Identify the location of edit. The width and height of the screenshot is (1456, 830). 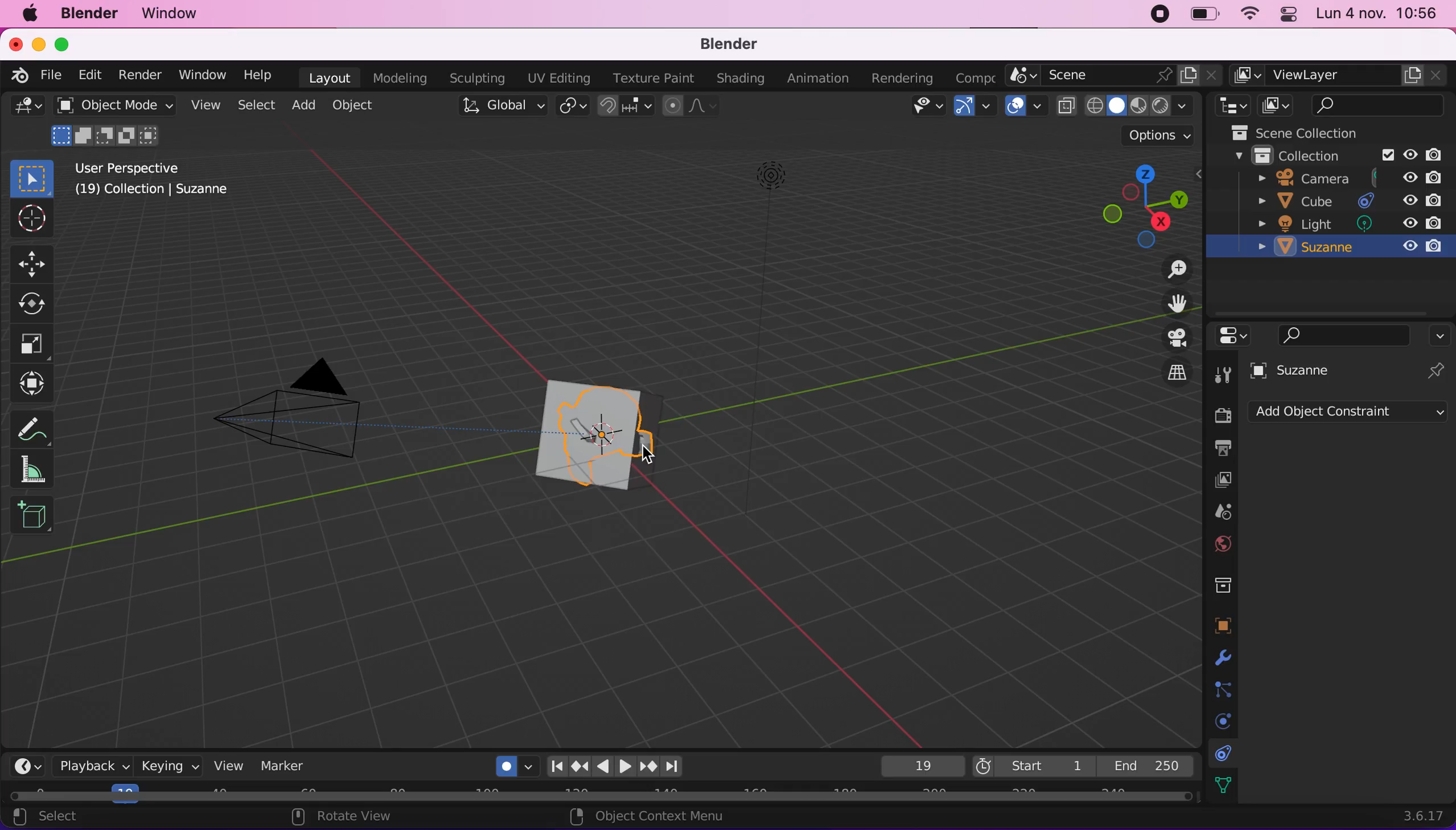
(90, 75).